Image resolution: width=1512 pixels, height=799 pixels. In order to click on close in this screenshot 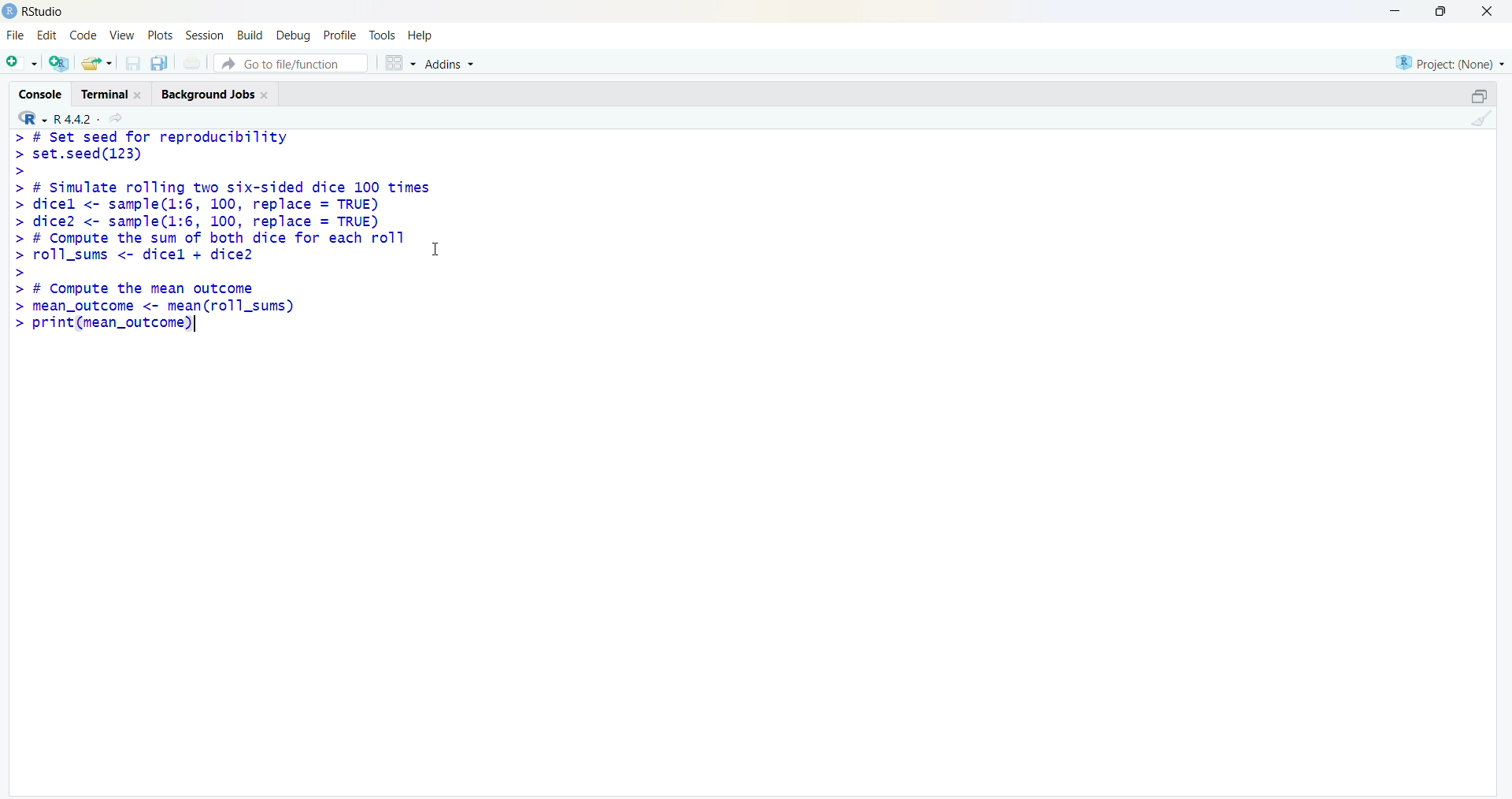, I will do `click(266, 95)`.